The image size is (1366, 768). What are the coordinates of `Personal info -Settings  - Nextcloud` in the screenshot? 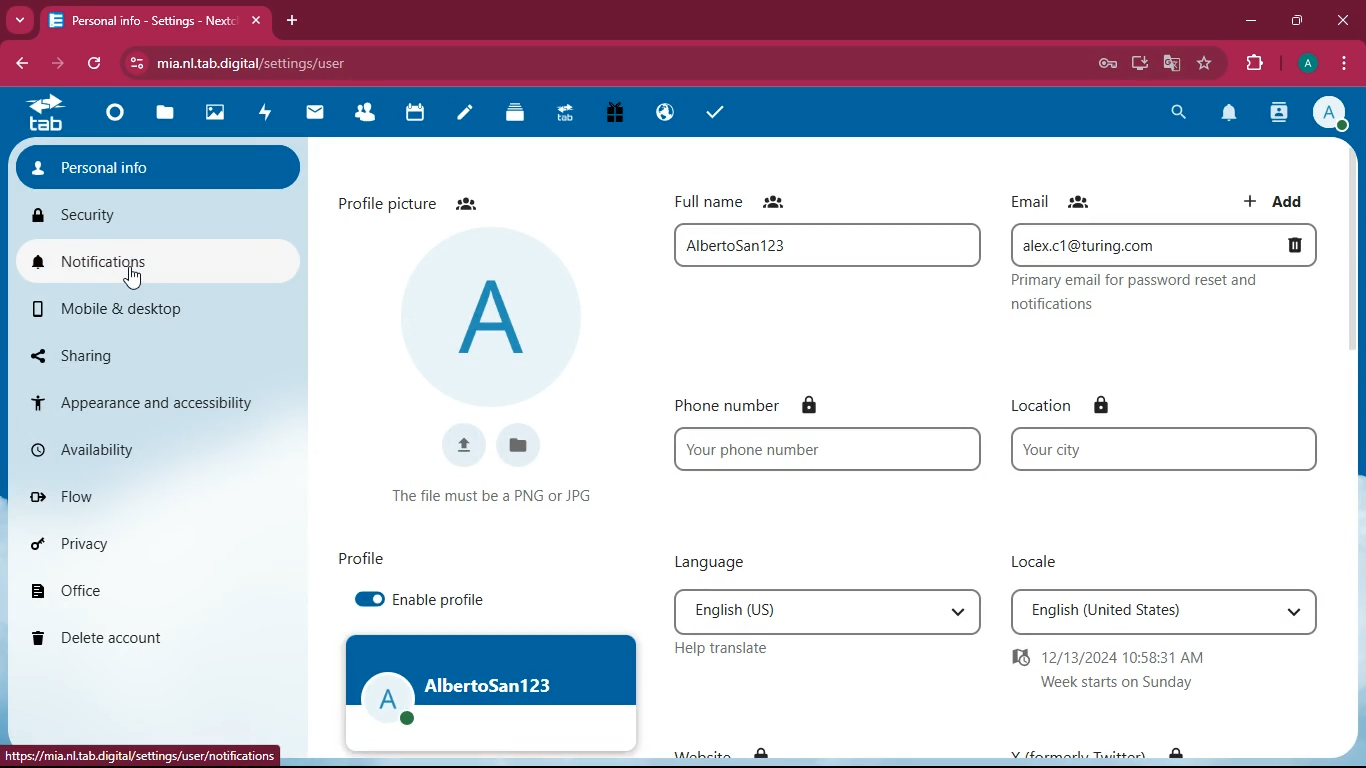 It's located at (138, 21).